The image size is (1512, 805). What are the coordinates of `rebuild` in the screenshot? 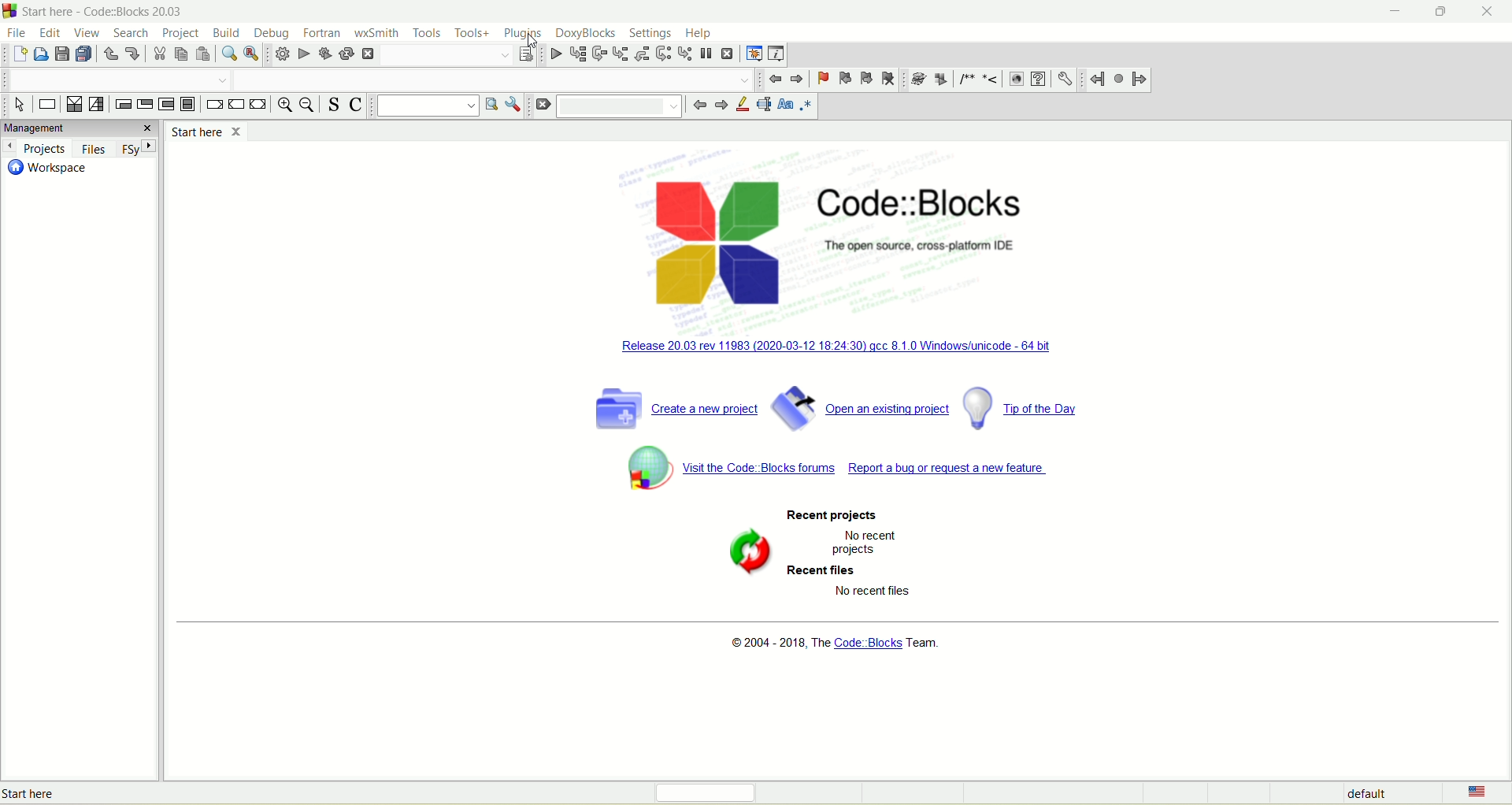 It's located at (348, 54).